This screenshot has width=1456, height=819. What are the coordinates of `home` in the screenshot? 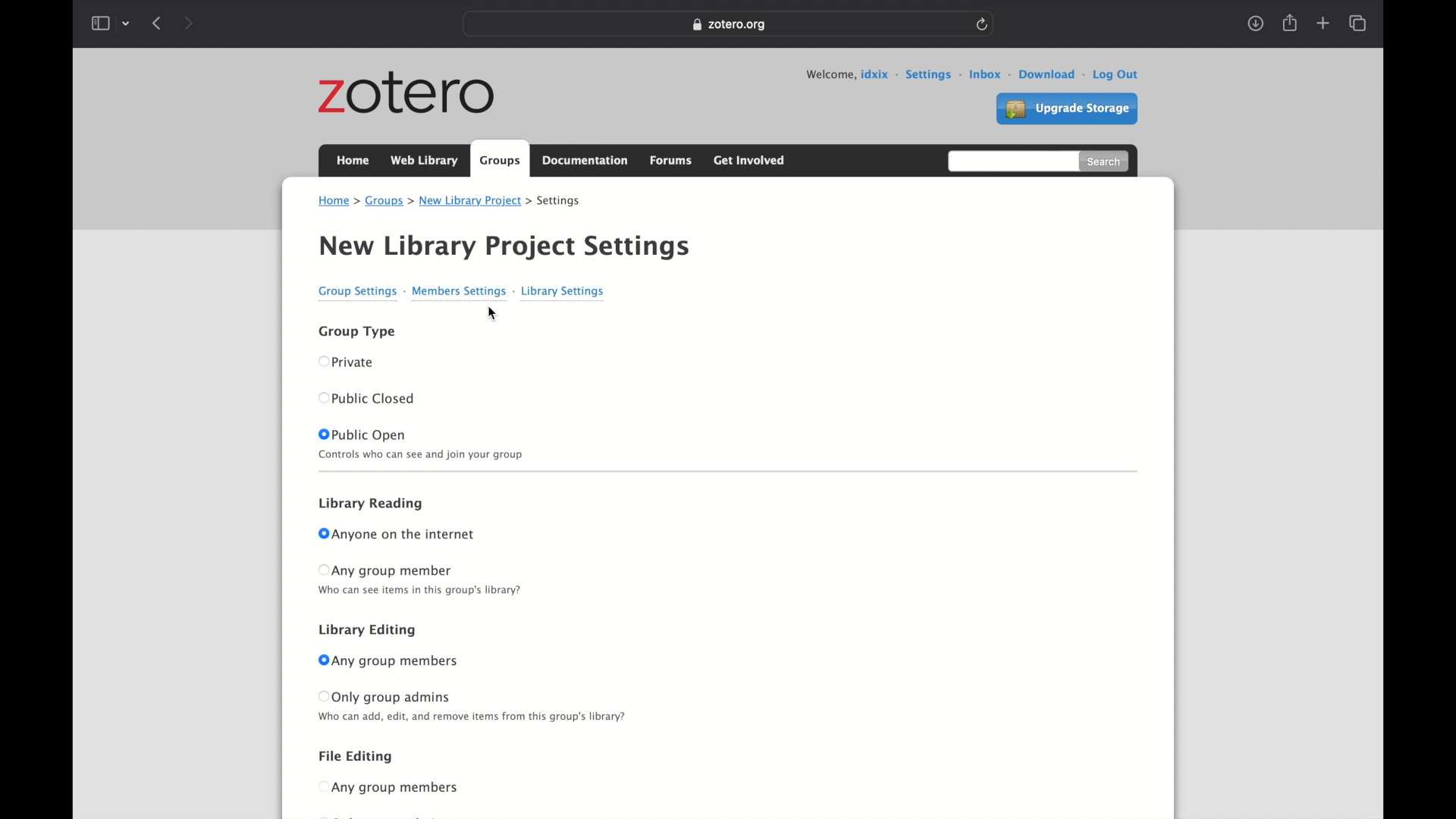 It's located at (352, 160).